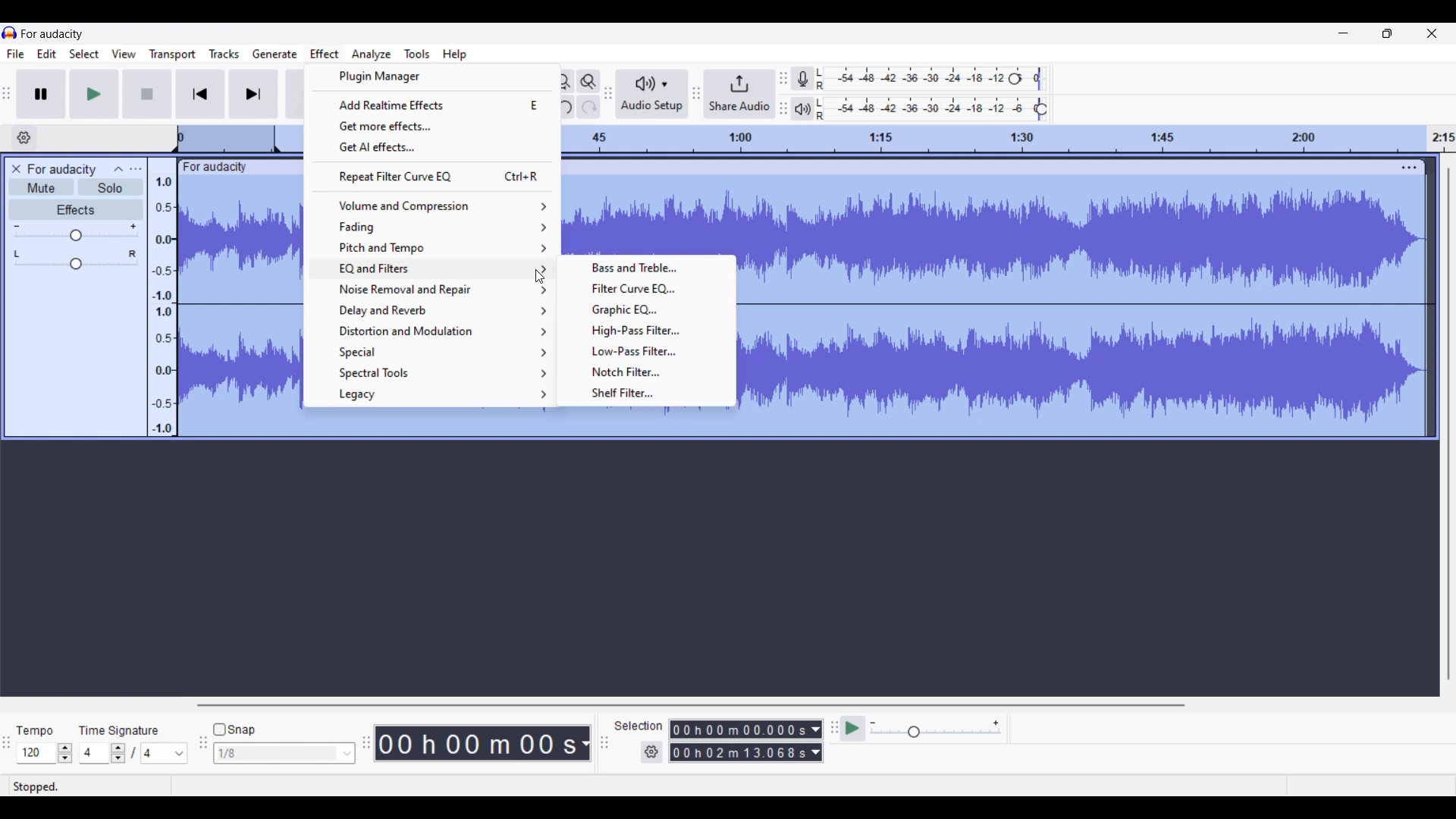 This screenshot has height=819, width=1456. I want to click on Audio setup, so click(652, 94).